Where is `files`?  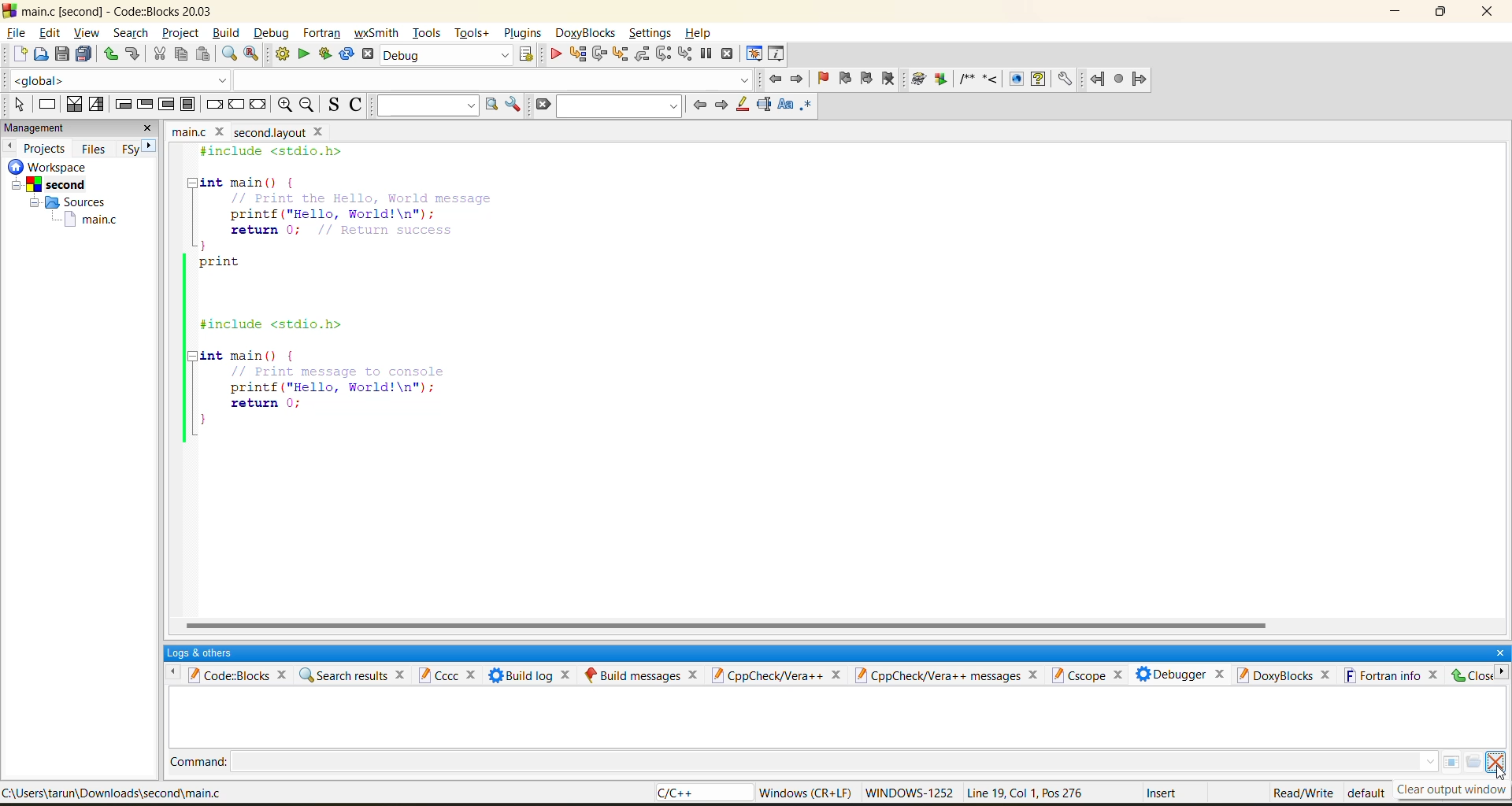 files is located at coordinates (93, 150).